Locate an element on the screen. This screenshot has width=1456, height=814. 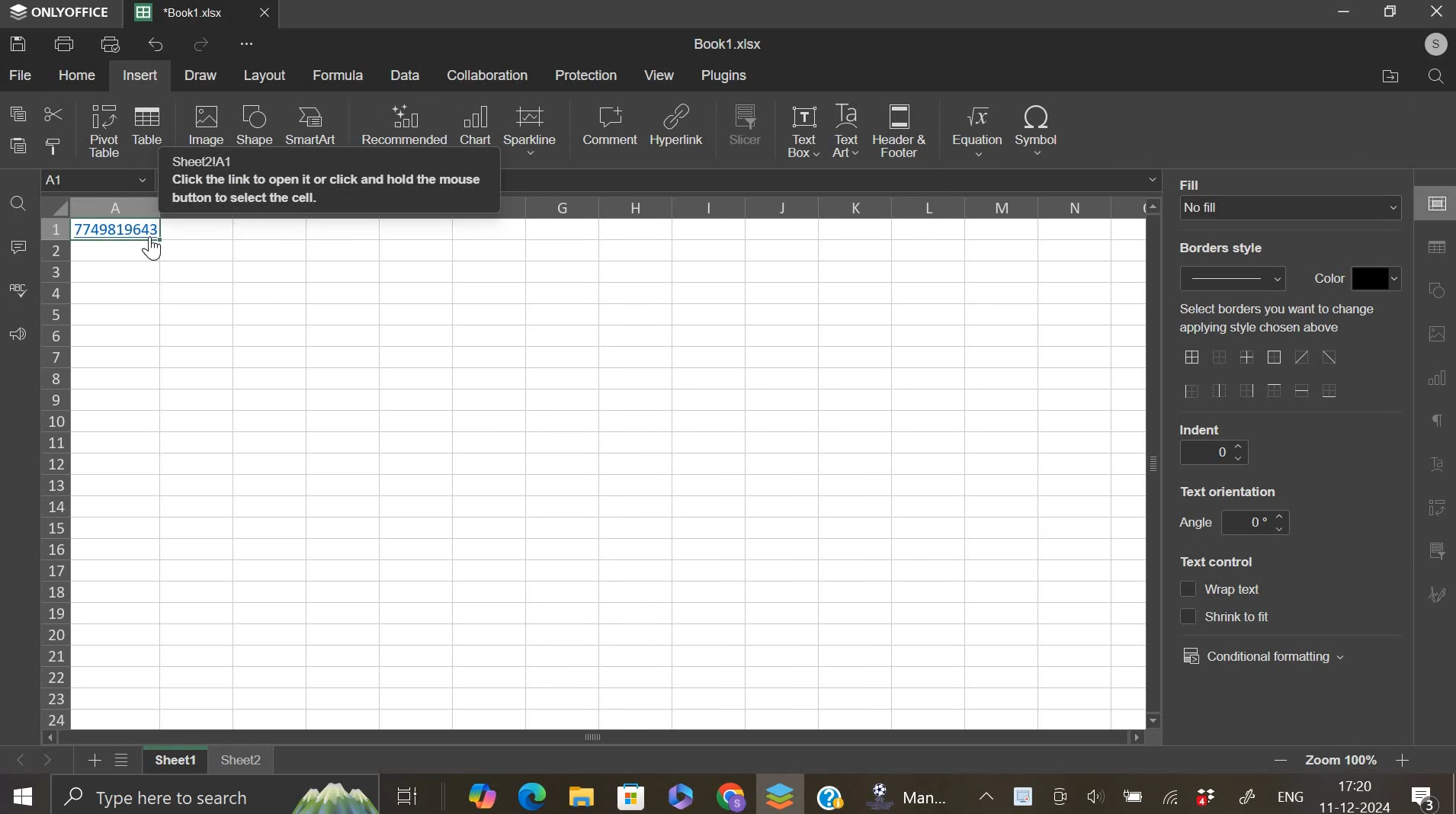
sparkline is located at coordinates (530, 129).